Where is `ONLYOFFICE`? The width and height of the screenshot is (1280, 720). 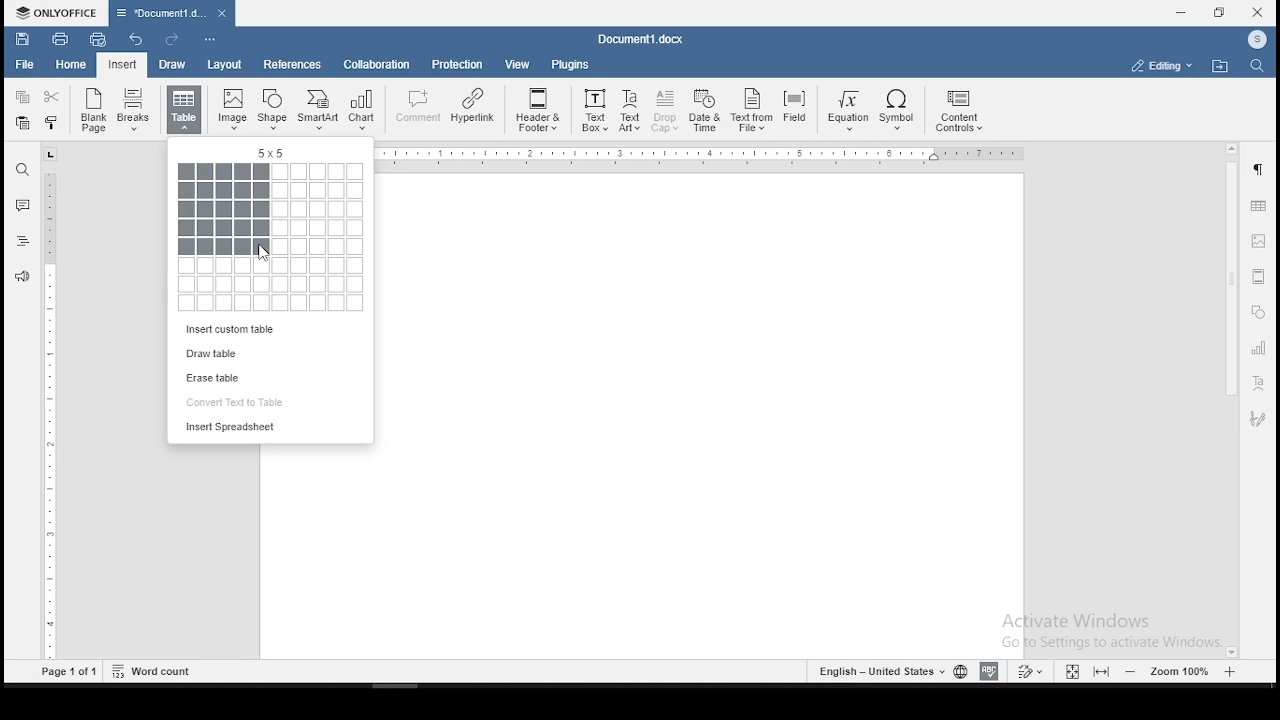 ONLYOFFICE is located at coordinates (54, 12).